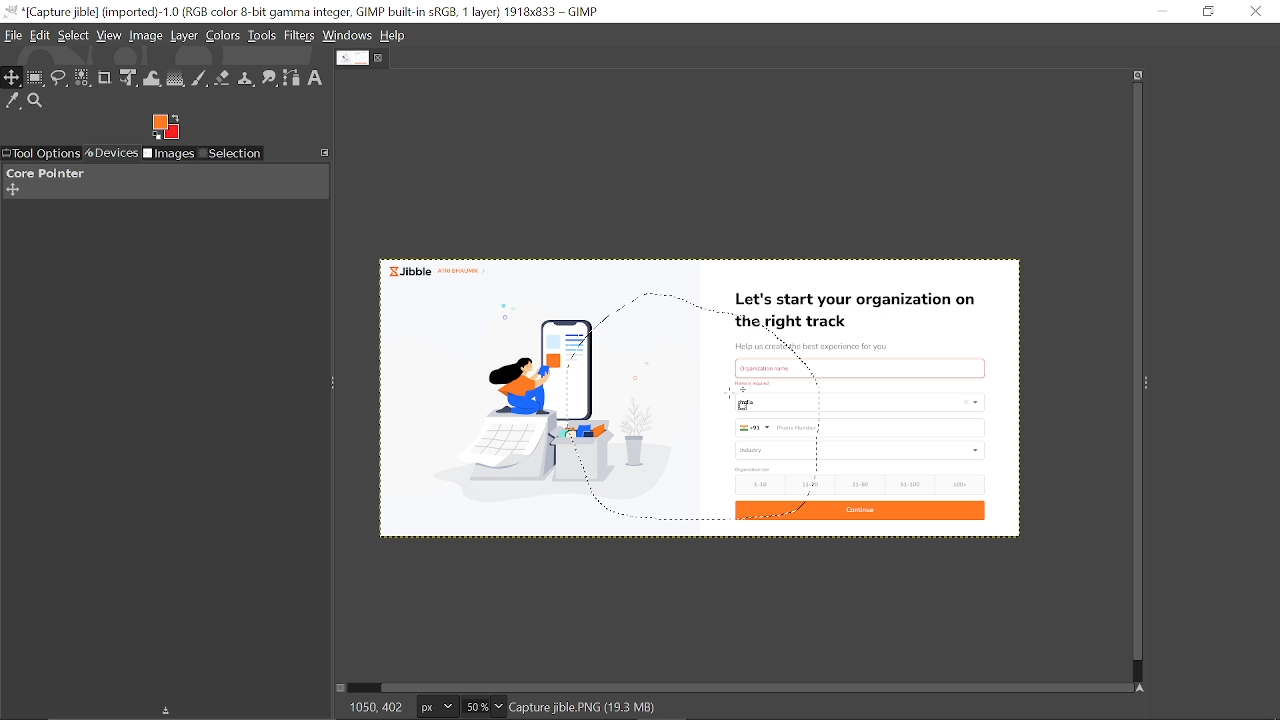 The width and height of the screenshot is (1280, 720). What do you see at coordinates (394, 36) in the screenshot?
I see `help` at bounding box center [394, 36].